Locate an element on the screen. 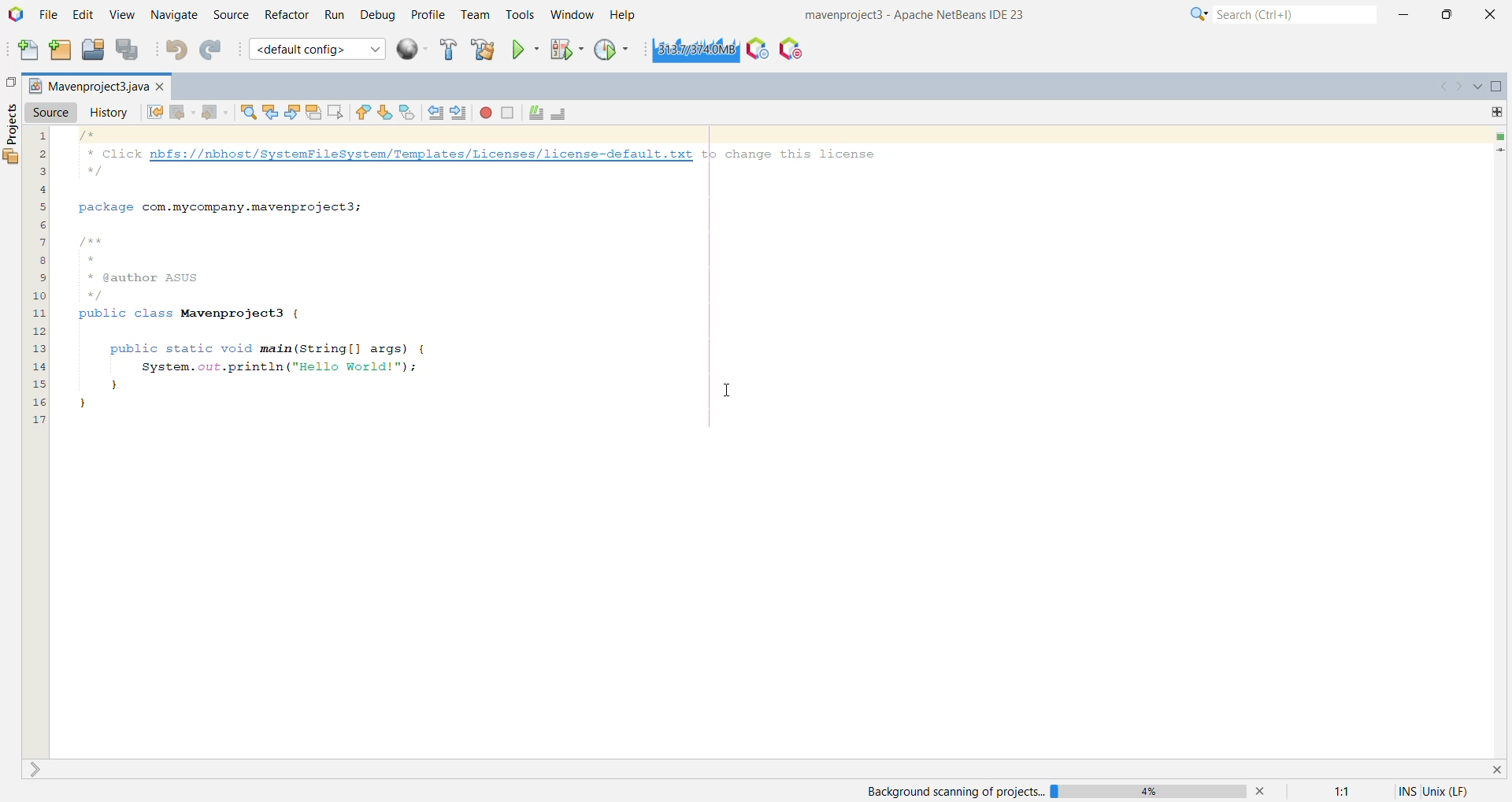  Find next occurrence is located at coordinates (294, 113).